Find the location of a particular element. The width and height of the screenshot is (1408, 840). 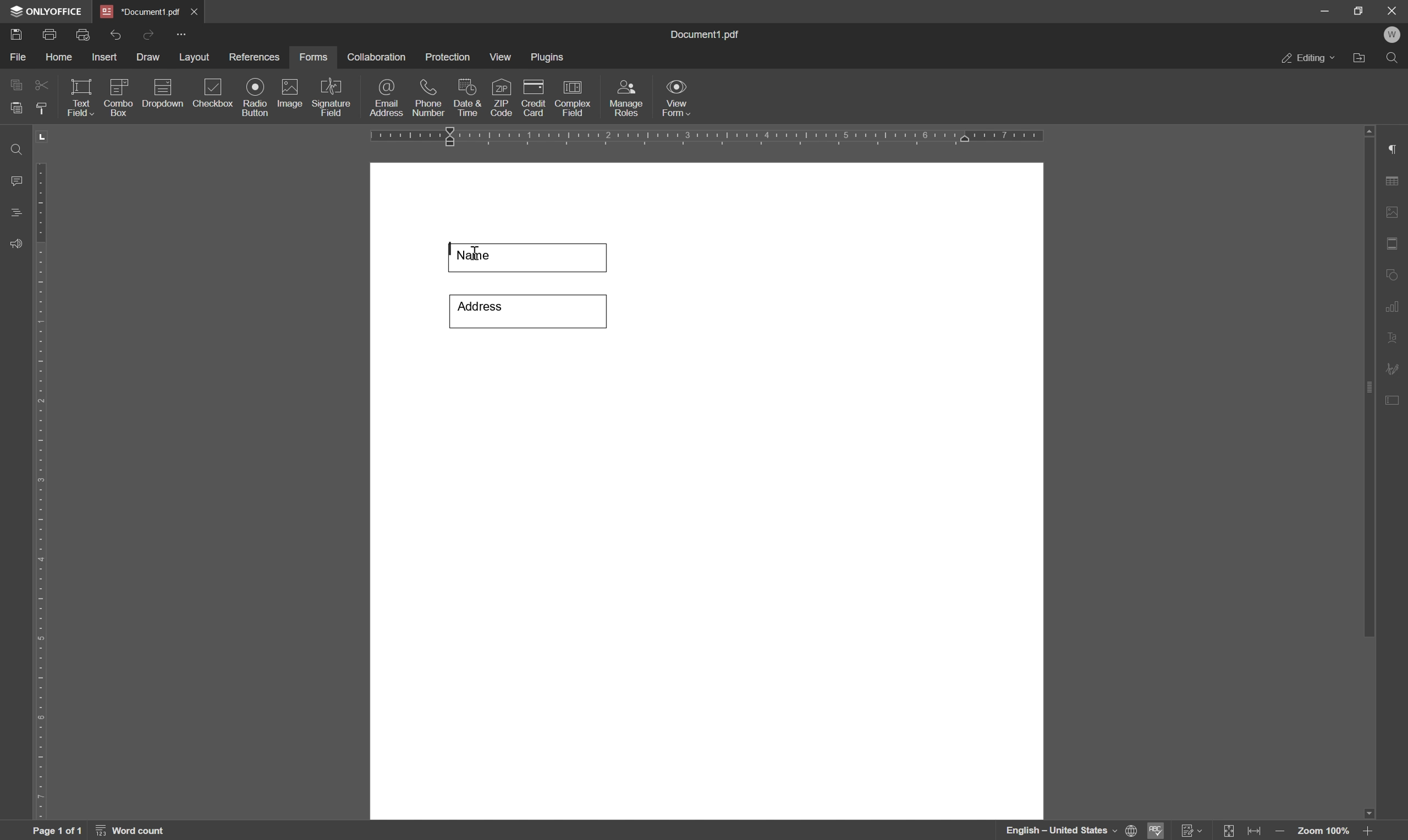

Address is located at coordinates (527, 310).